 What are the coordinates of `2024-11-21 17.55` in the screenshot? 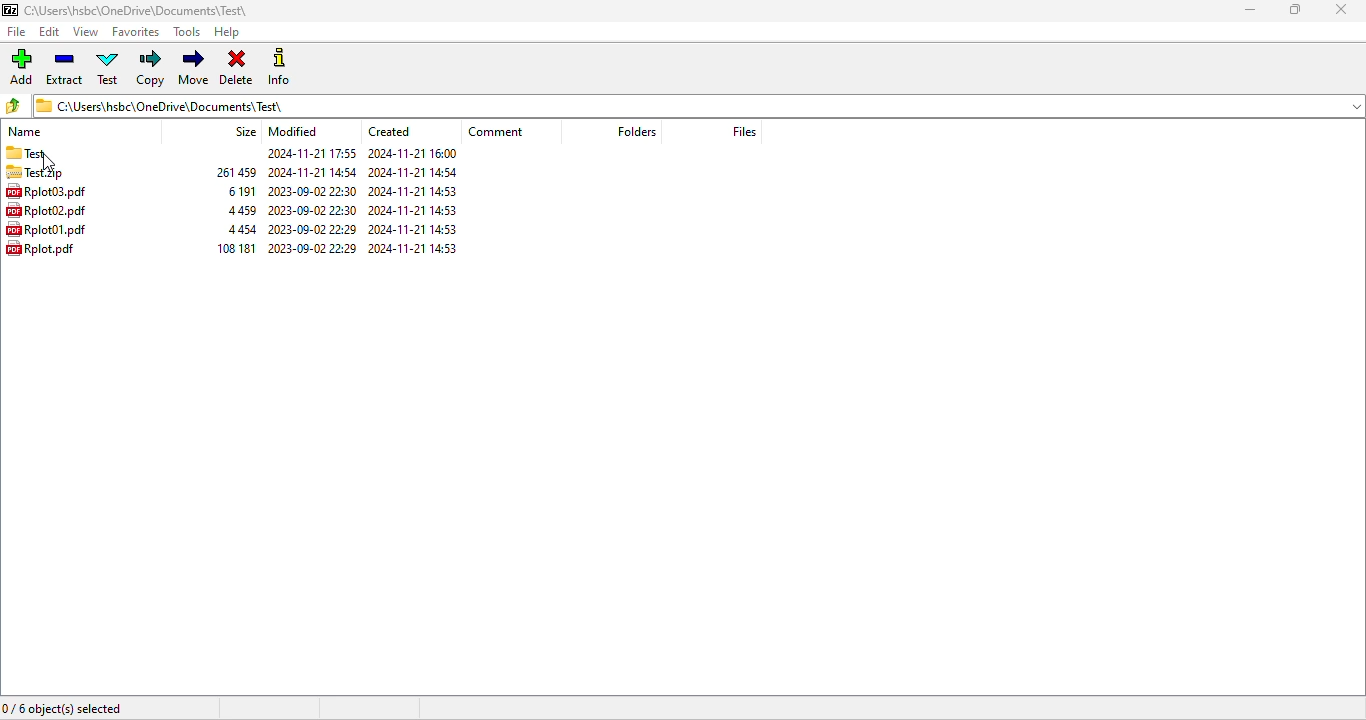 It's located at (312, 155).